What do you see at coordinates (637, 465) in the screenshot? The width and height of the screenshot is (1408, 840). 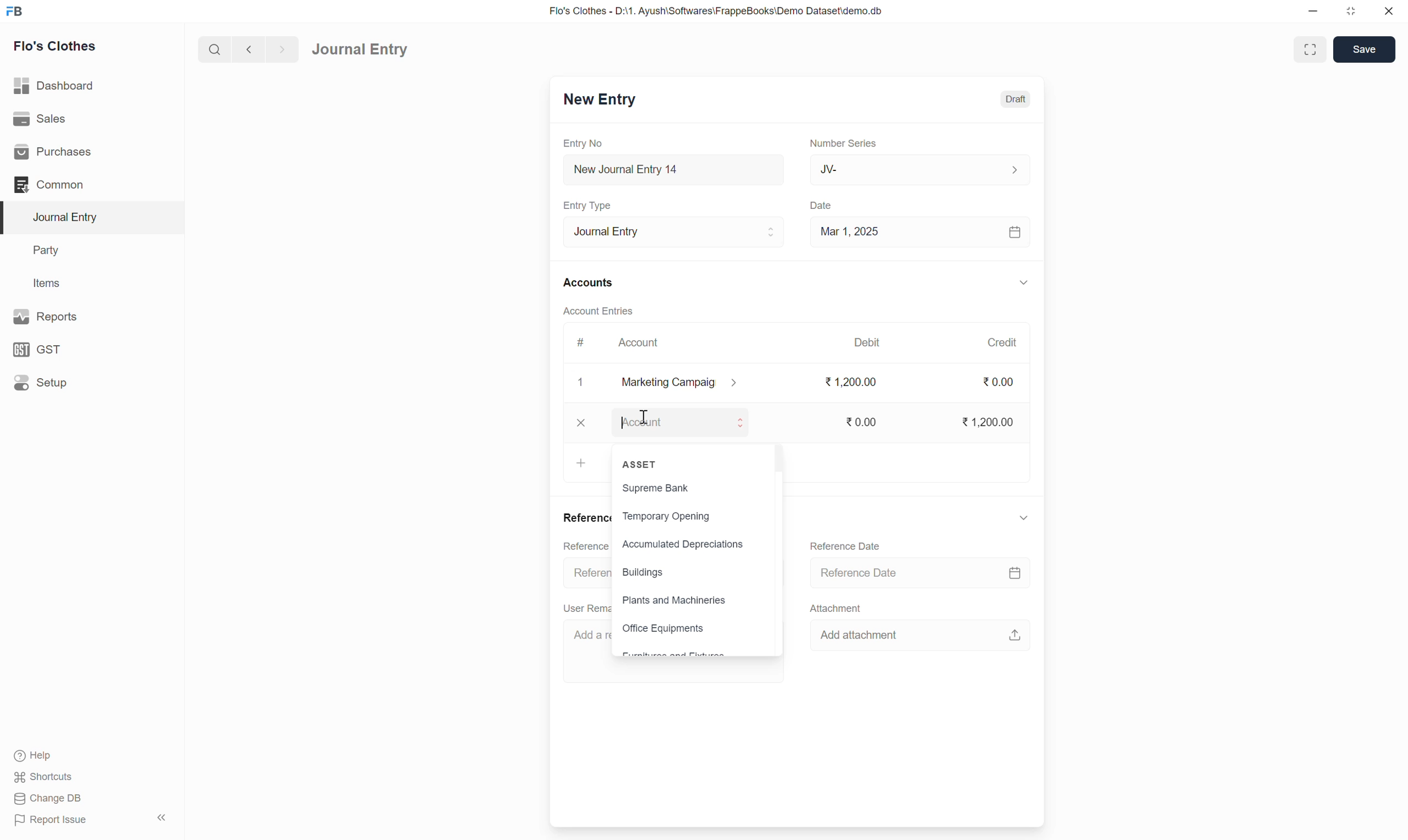 I see `ASSET` at bounding box center [637, 465].